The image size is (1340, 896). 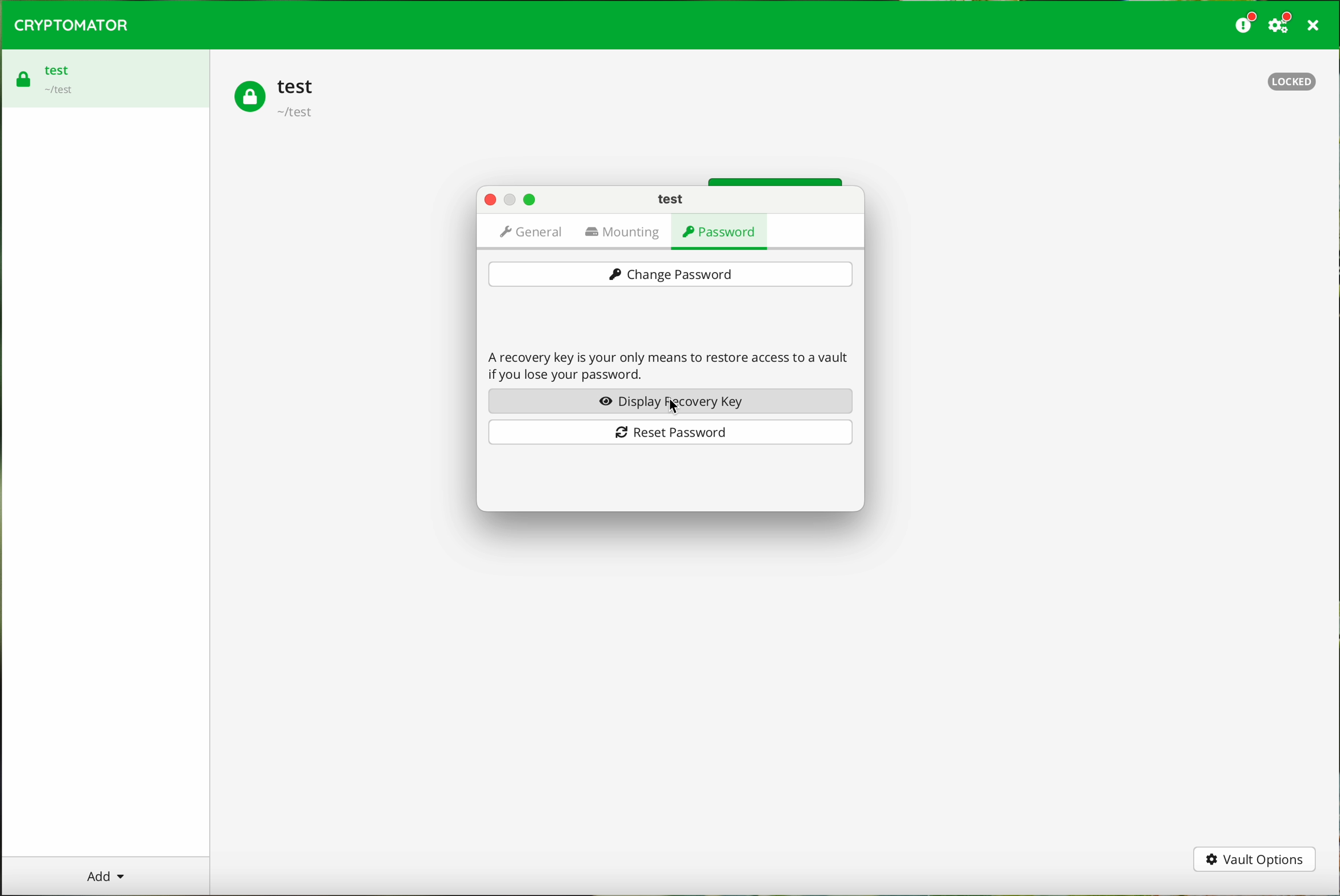 What do you see at coordinates (1293, 78) in the screenshot?
I see `locked` at bounding box center [1293, 78].